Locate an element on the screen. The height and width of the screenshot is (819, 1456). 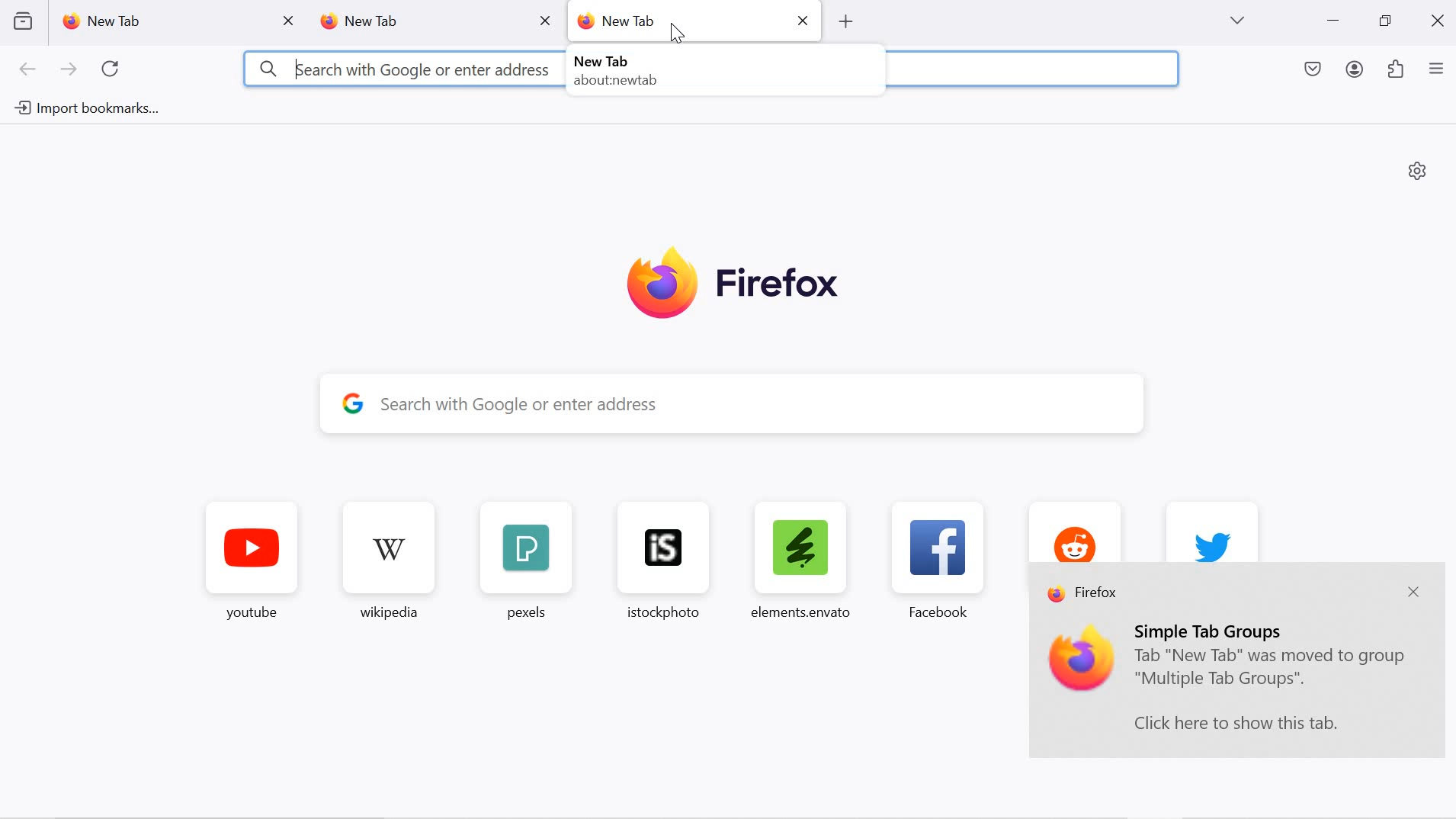
minimize is located at coordinates (1333, 22).